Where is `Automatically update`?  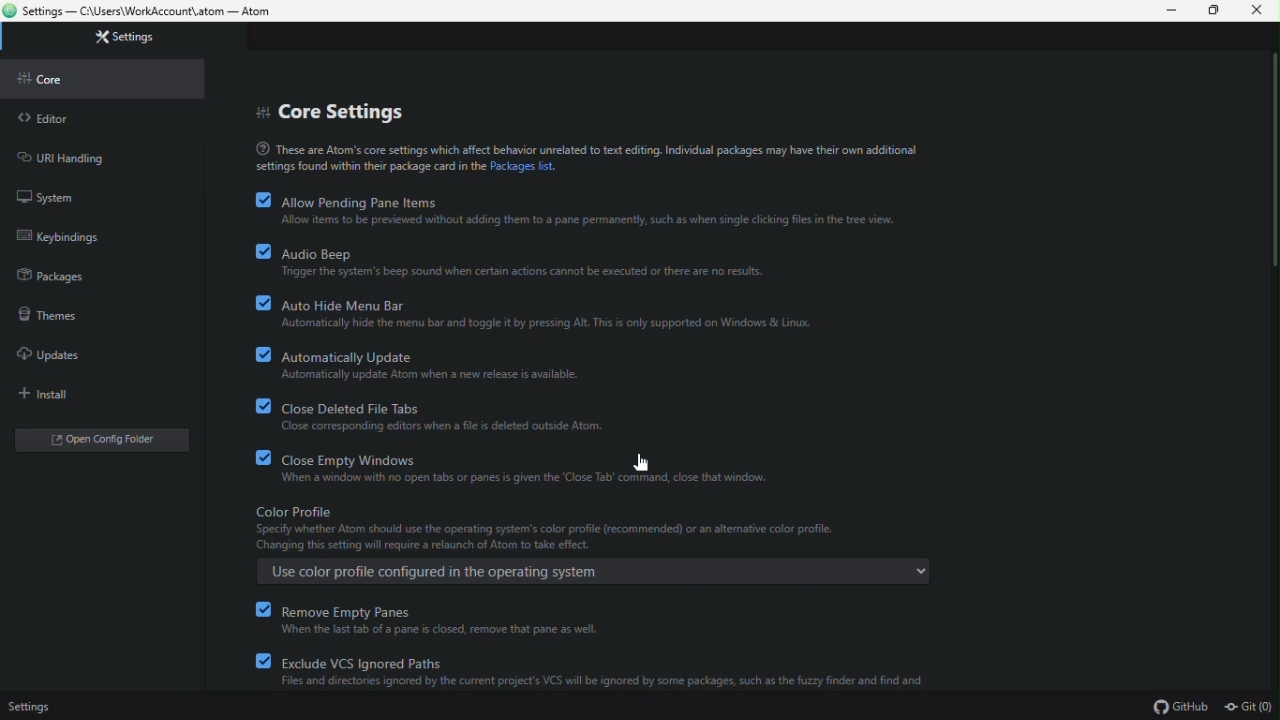 Automatically update is located at coordinates (604, 364).